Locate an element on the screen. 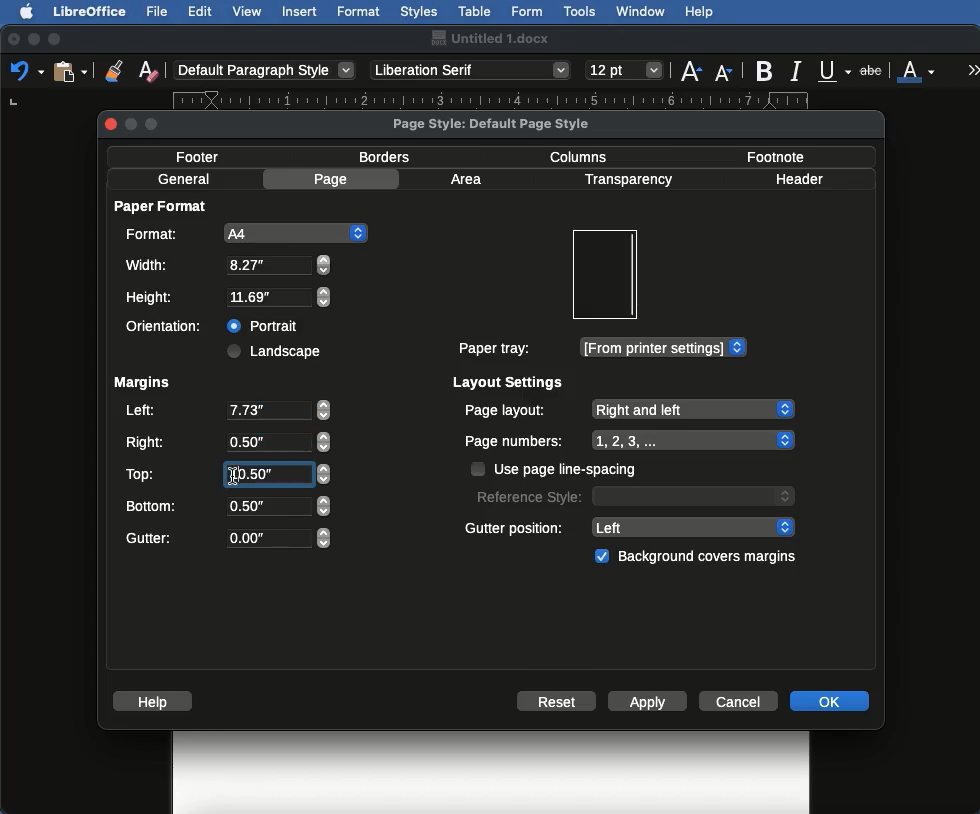 This screenshot has width=980, height=814. Insert is located at coordinates (300, 11).